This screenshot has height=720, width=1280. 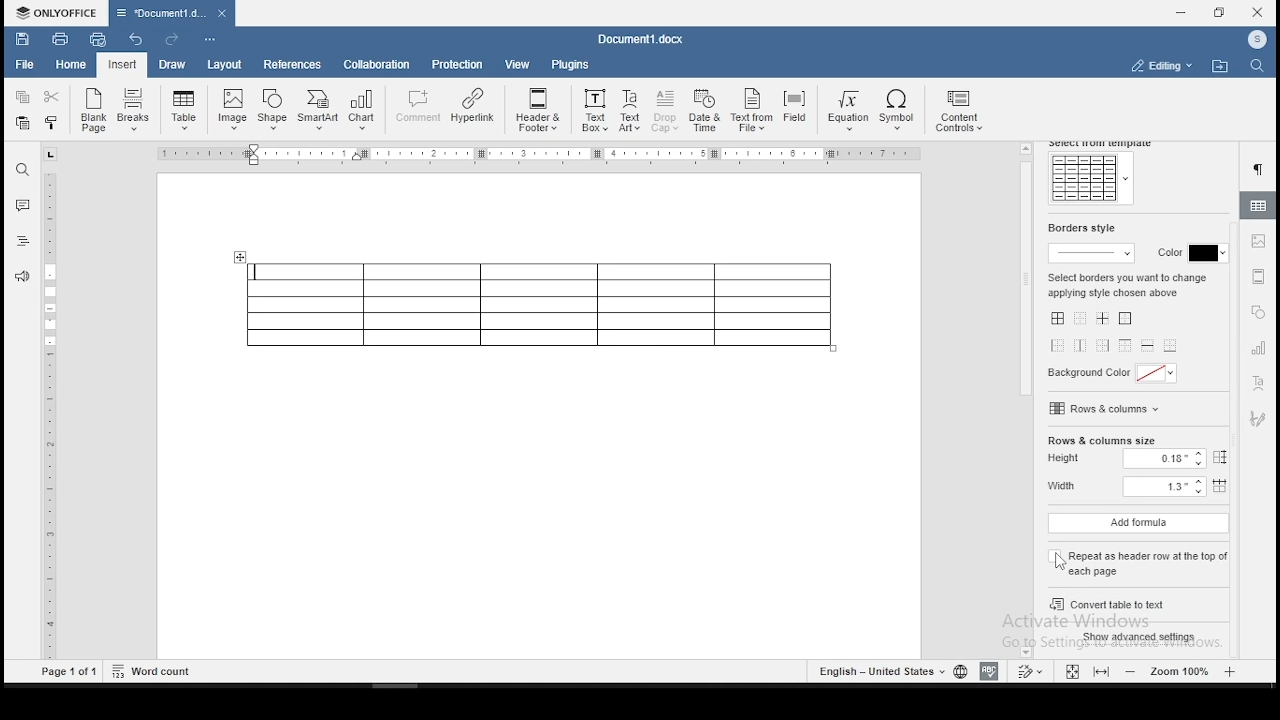 I want to click on width, so click(x=1135, y=488).